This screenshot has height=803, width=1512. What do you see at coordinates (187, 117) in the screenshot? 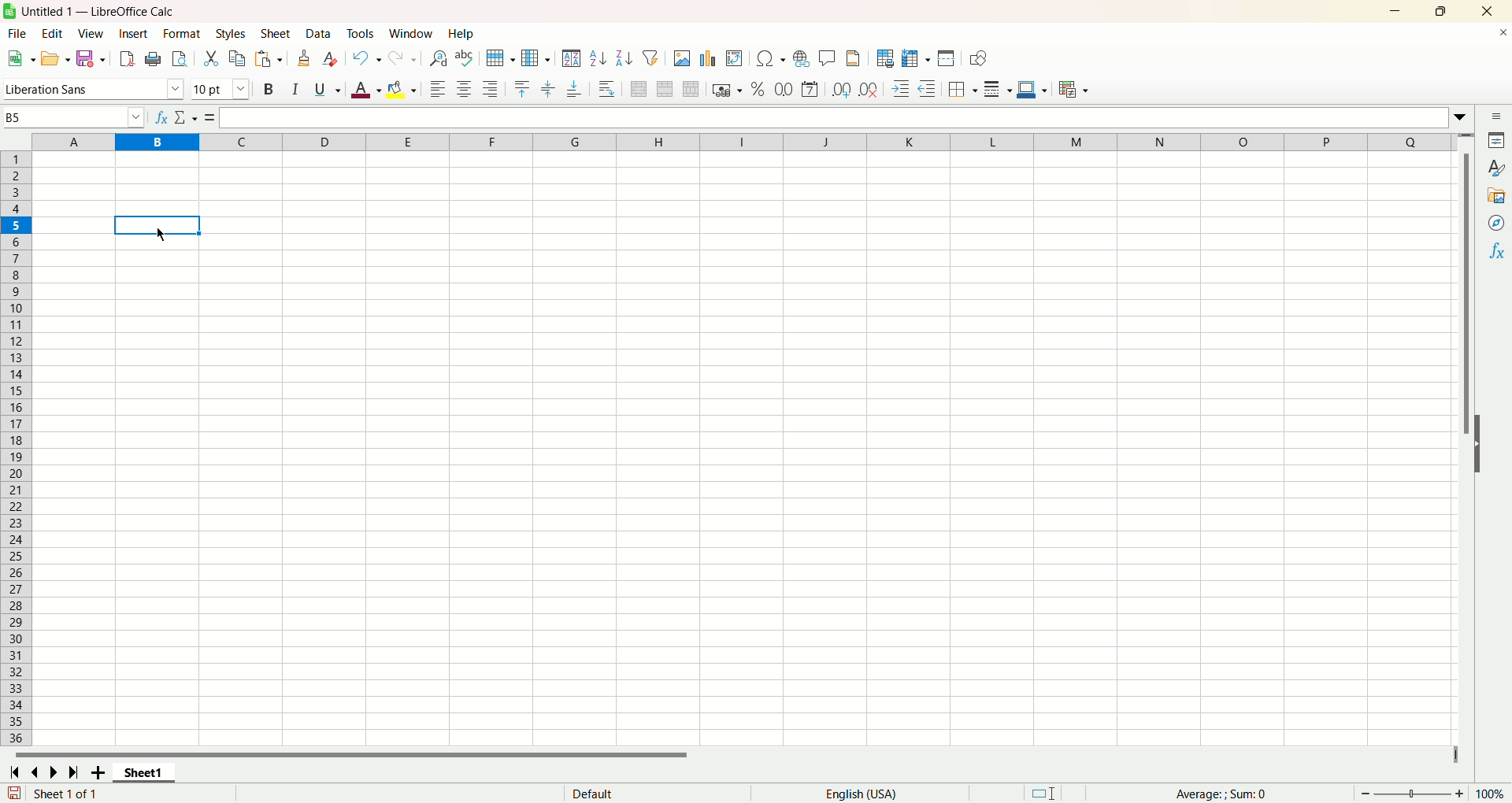
I see `select function` at bounding box center [187, 117].